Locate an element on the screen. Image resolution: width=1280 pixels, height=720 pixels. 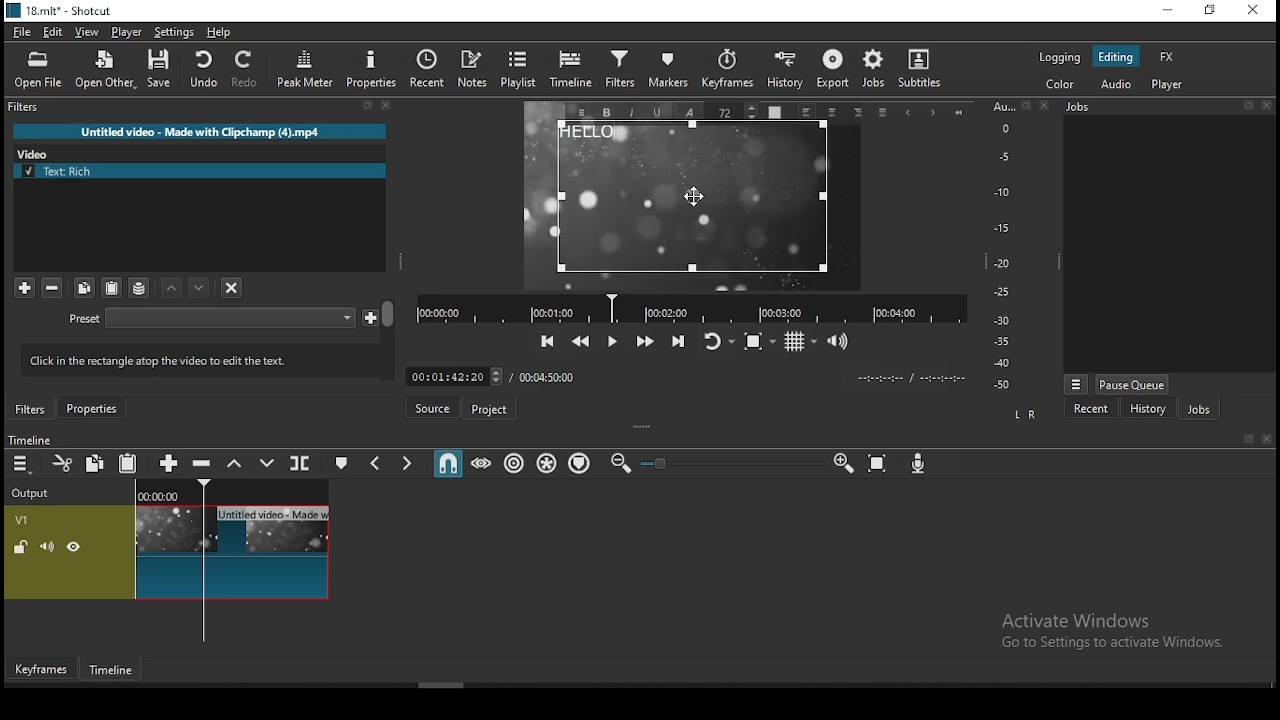
Save custom preset is located at coordinates (371, 316).